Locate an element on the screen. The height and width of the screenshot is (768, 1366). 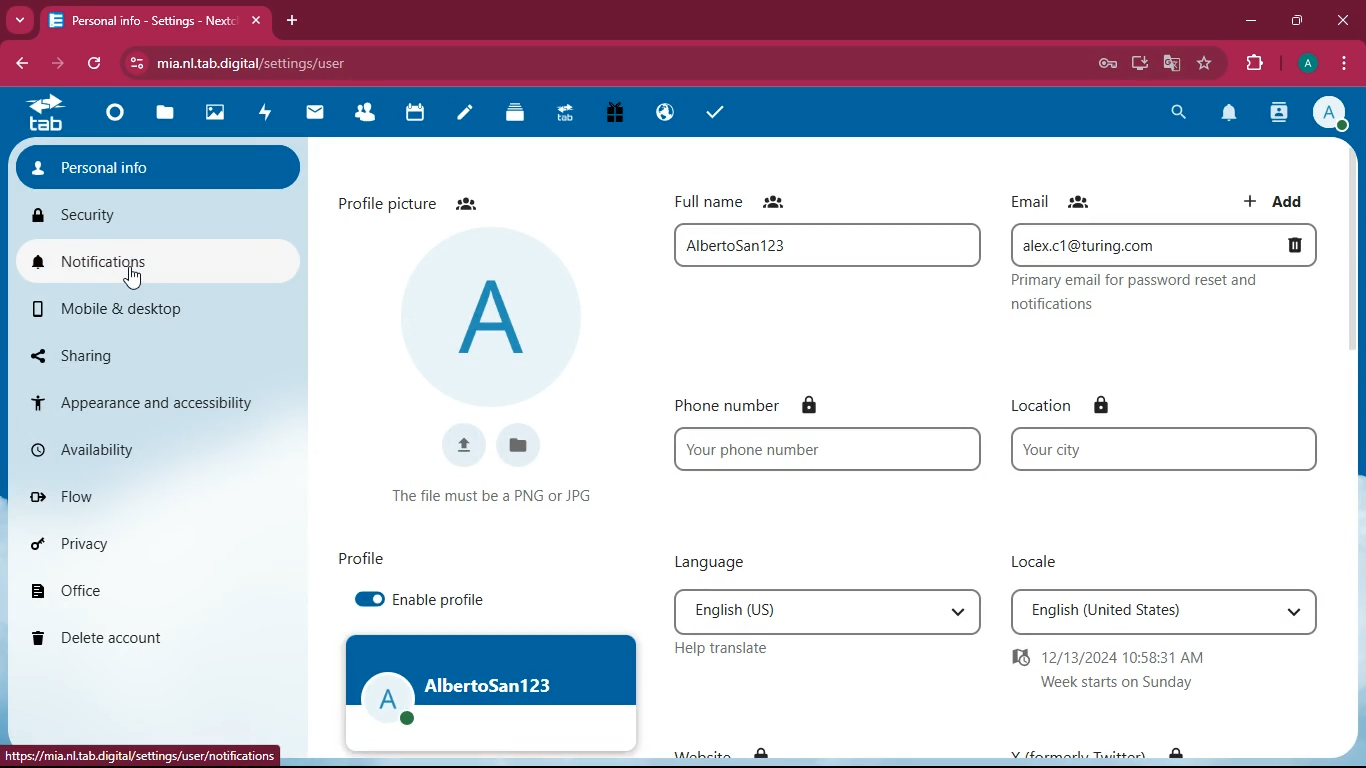
home is located at coordinates (113, 112).